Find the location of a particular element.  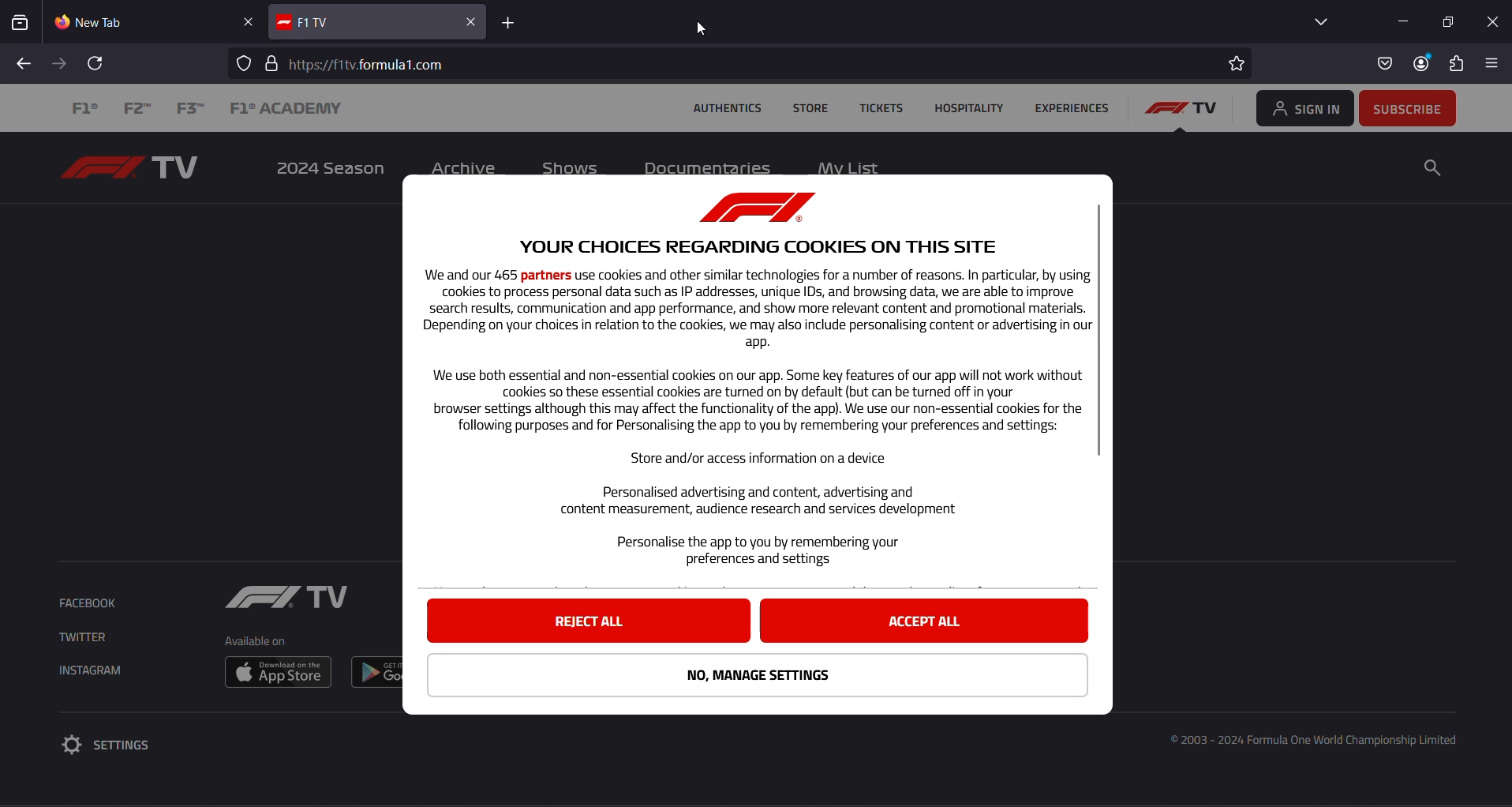

suscribe is located at coordinates (1409, 106).